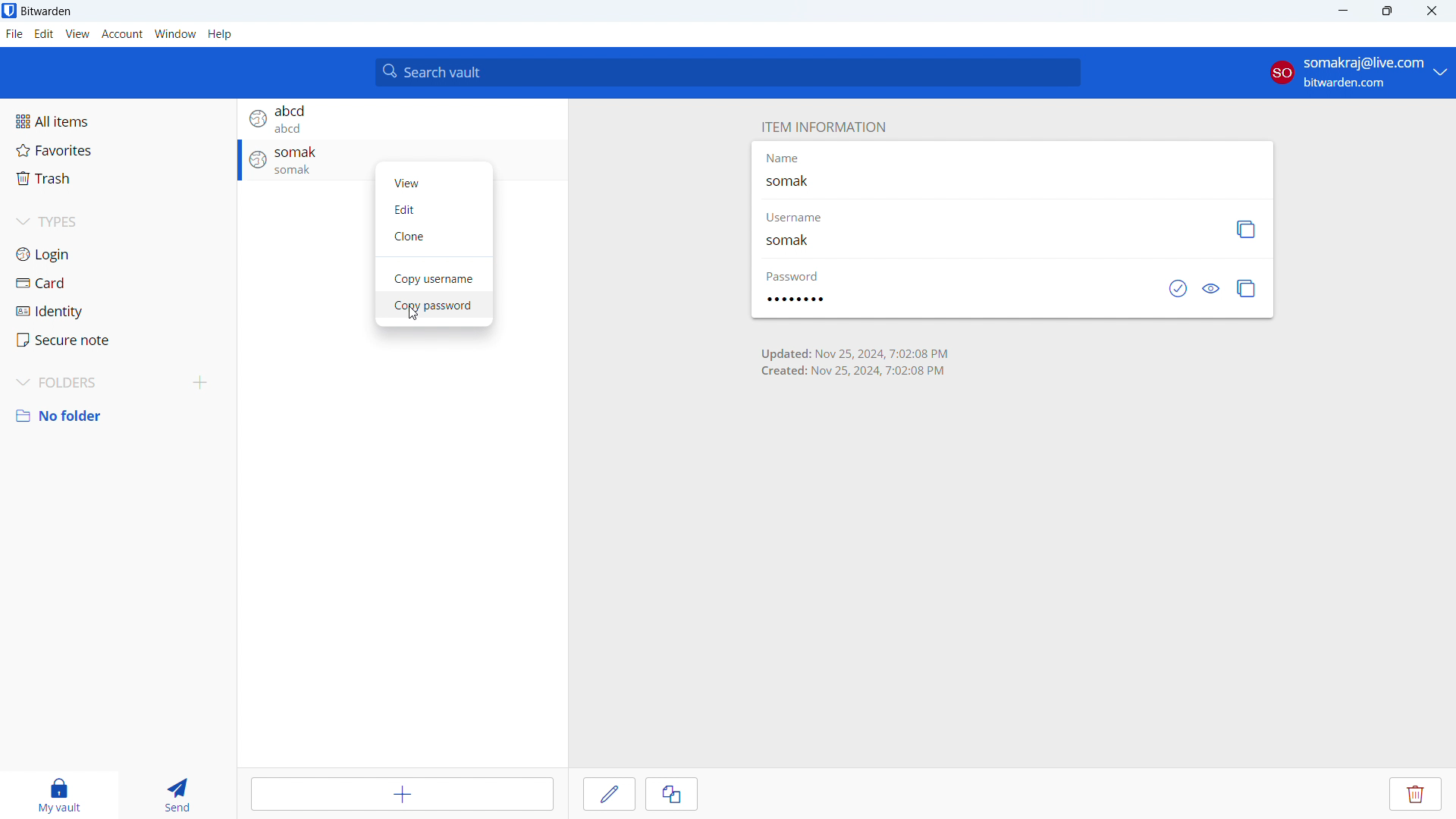 Image resolution: width=1456 pixels, height=819 pixels. What do you see at coordinates (855, 362) in the screenshot?
I see `entry update and creation timings` at bounding box center [855, 362].